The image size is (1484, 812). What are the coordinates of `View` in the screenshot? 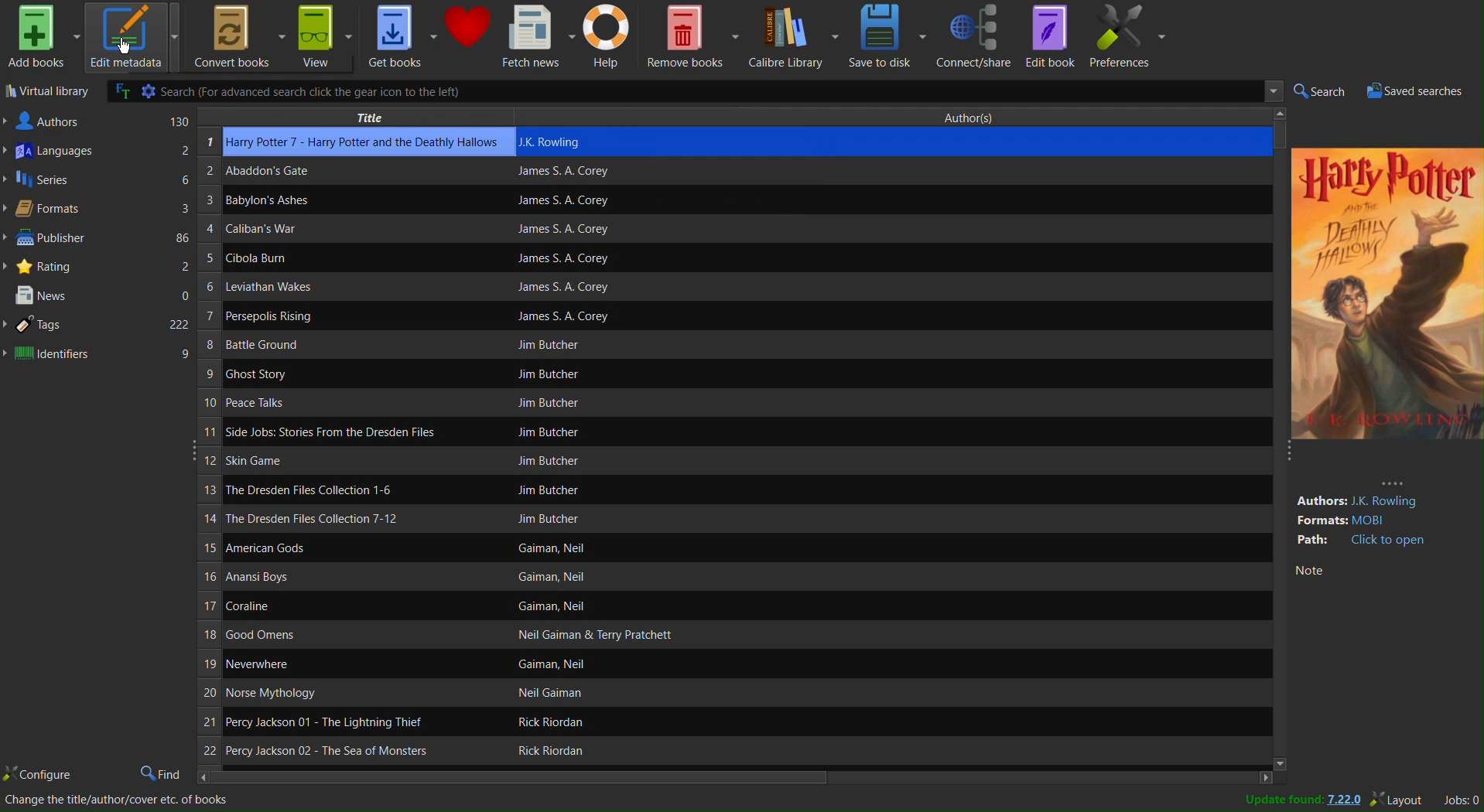 It's located at (325, 36).